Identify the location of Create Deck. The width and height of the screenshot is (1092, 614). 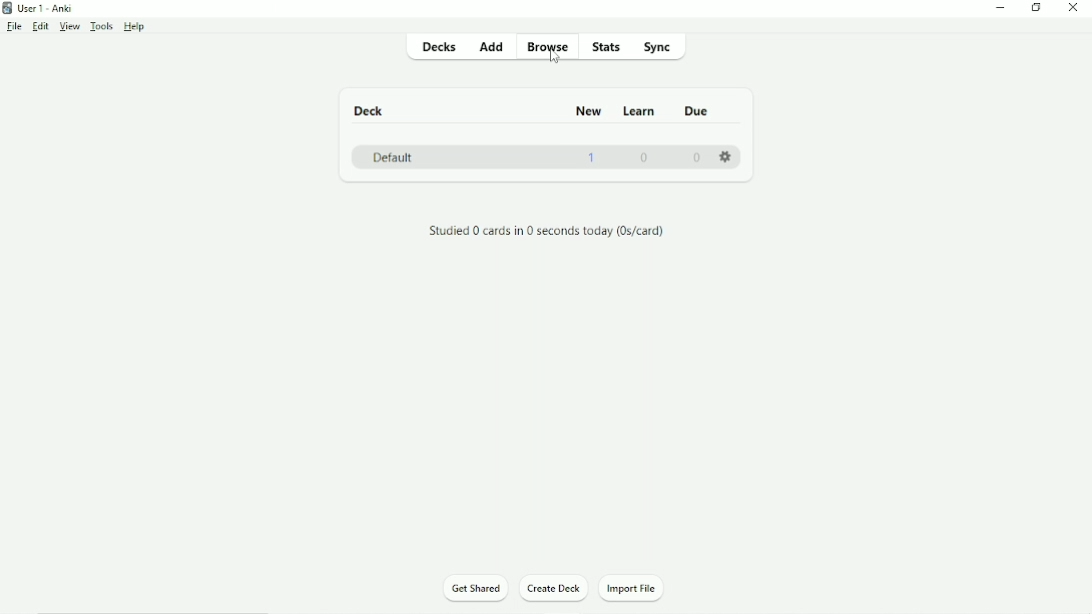
(554, 589).